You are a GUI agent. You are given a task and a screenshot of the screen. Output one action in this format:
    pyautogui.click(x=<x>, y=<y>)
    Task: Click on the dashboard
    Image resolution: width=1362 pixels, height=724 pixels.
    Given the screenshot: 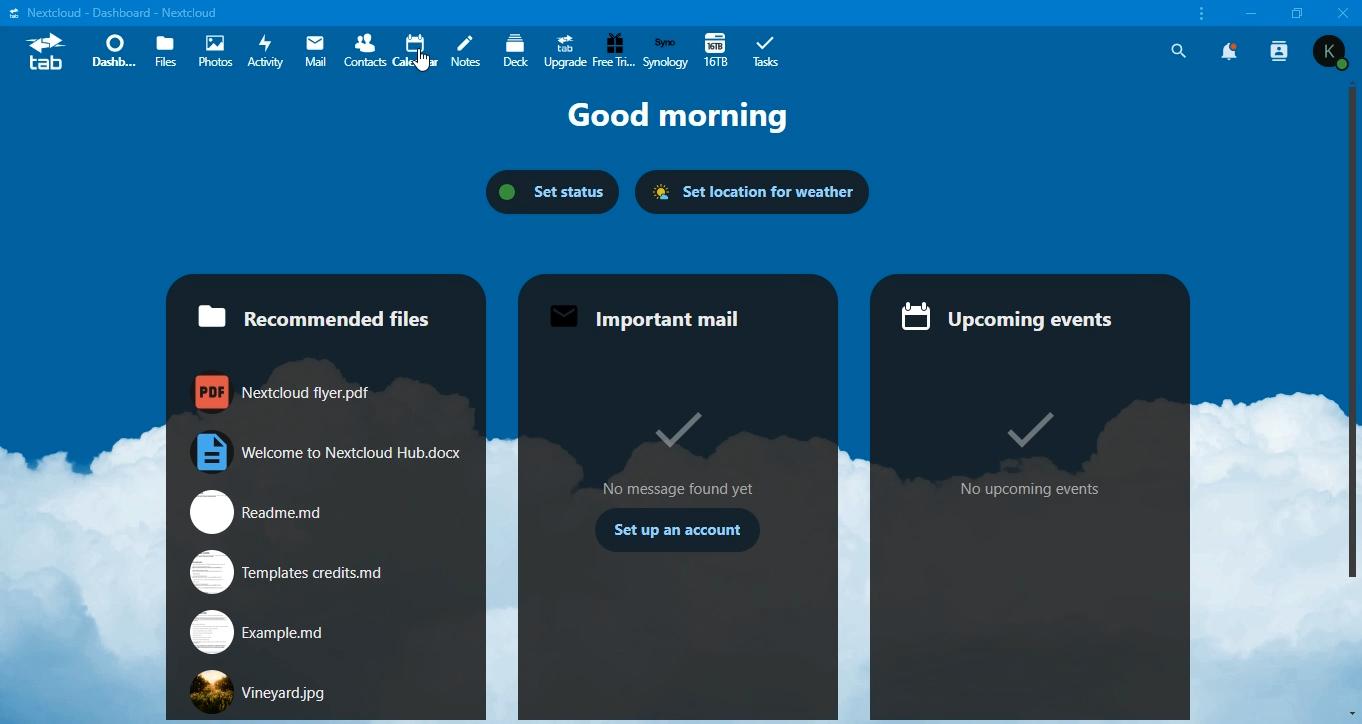 What is the action you would take?
    pyautogui.click(x=113, y=47)
    